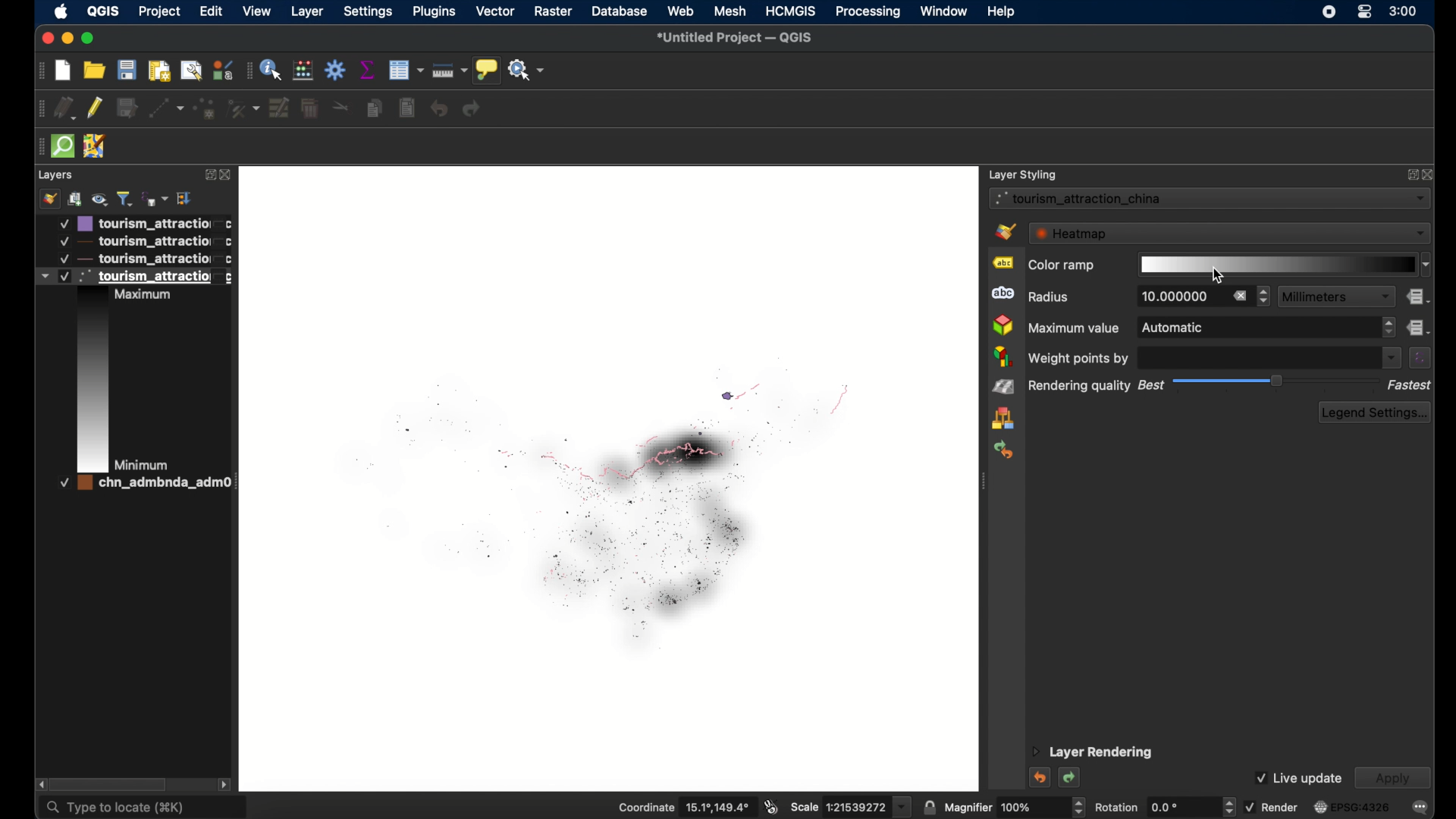 This screenshot has width=1456, height=819. What do you see at coordinates (1376, 413) in the screenshot?
I see `legend settings` at bounding box center [1376, 413].